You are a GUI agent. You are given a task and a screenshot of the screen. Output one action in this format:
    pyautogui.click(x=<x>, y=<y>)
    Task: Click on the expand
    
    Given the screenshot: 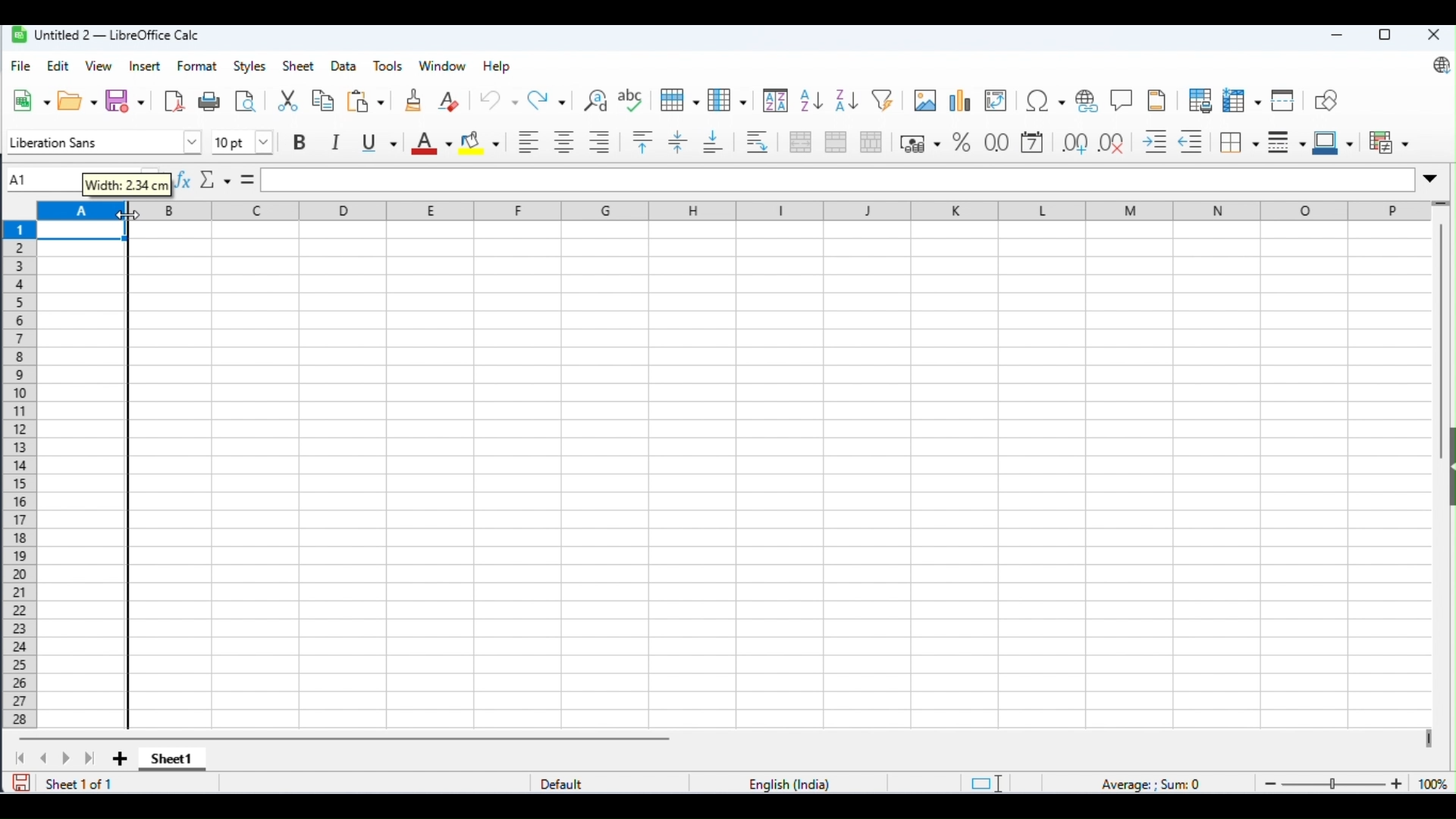 What is the action you would take?
    pyautogui.click(x=1429, y=180)
    